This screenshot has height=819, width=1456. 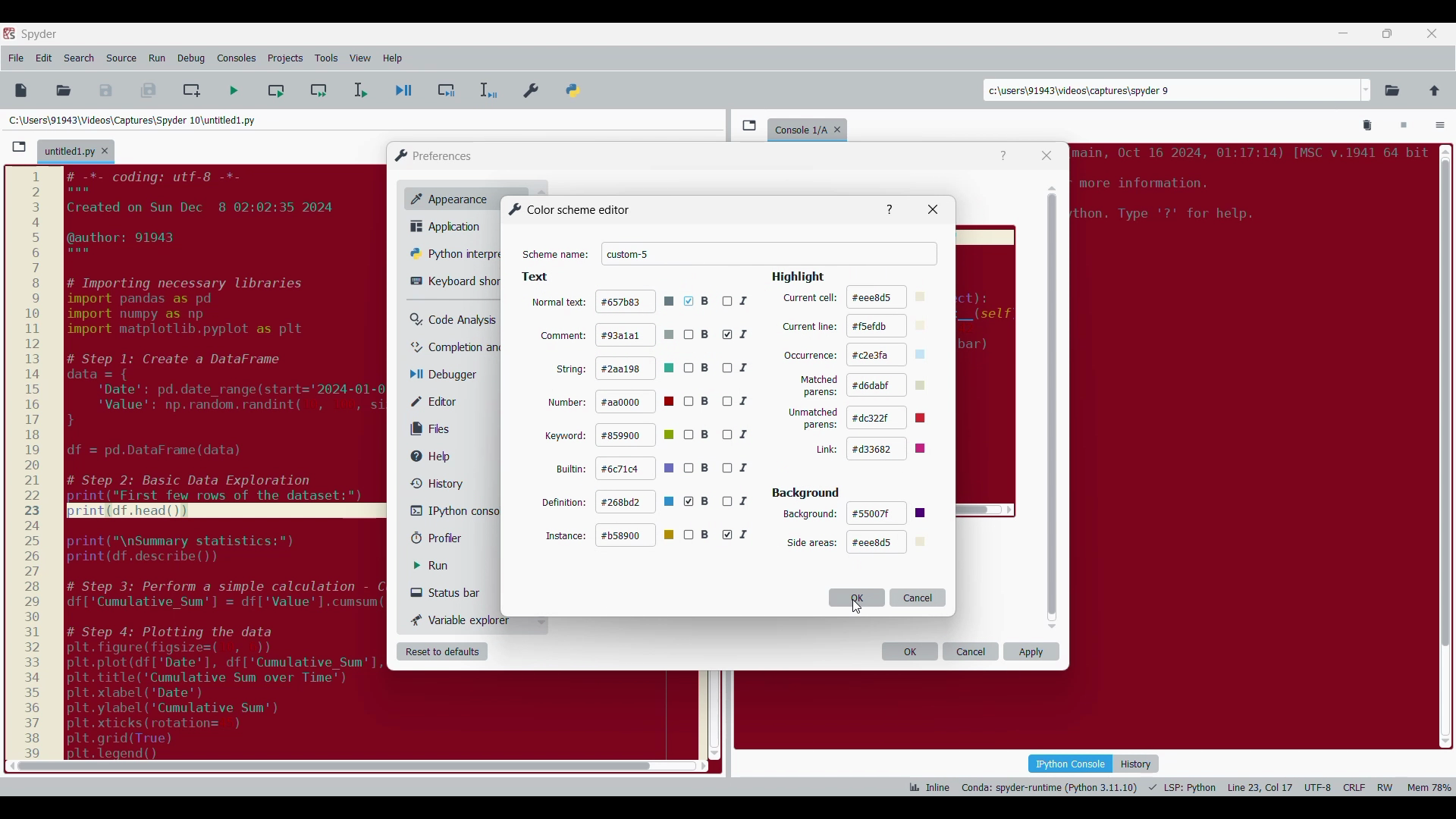 I want to click on Code details, so click(x=1178, y=787).